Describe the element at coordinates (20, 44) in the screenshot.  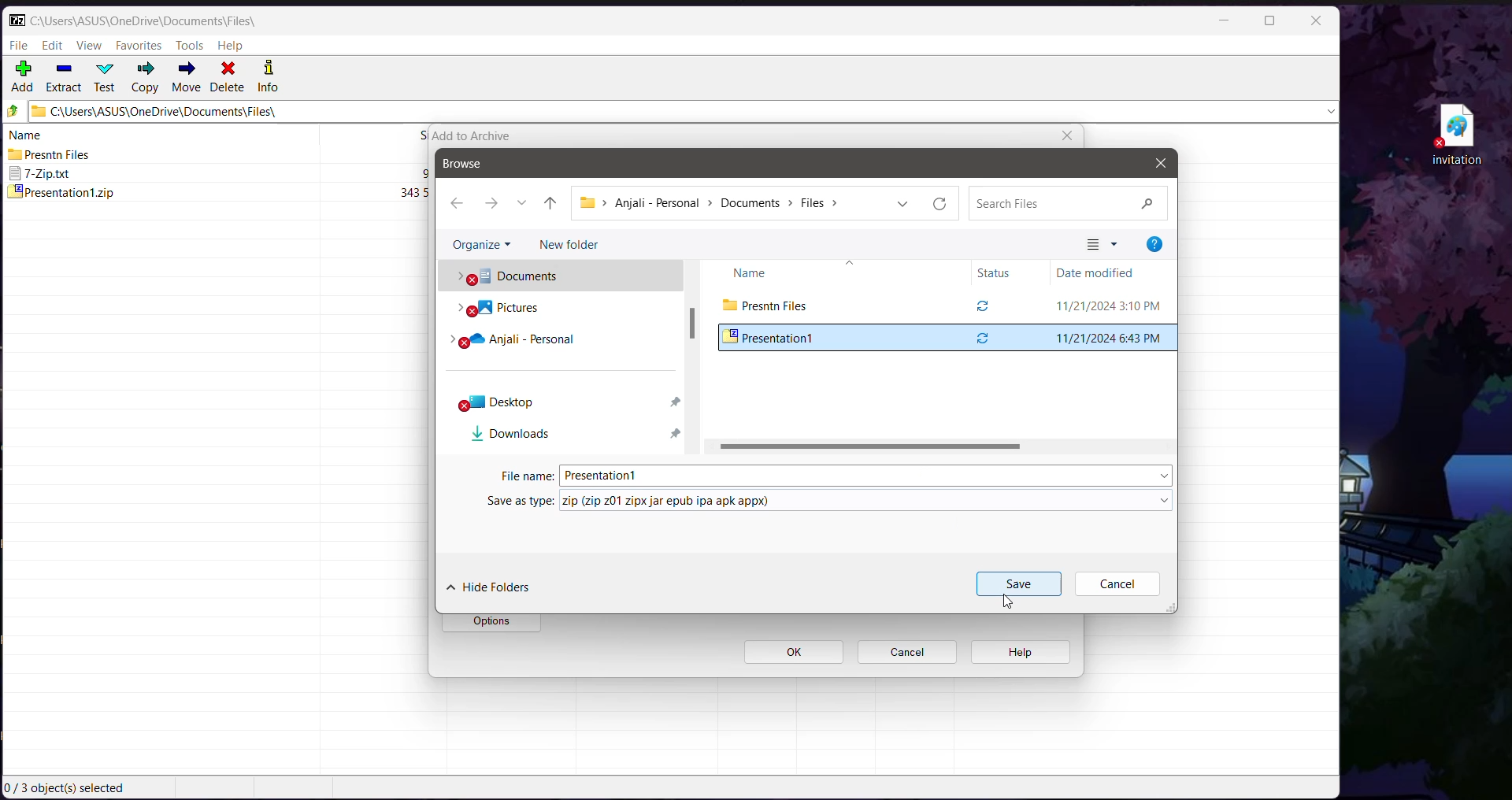
I see `File` at that location.